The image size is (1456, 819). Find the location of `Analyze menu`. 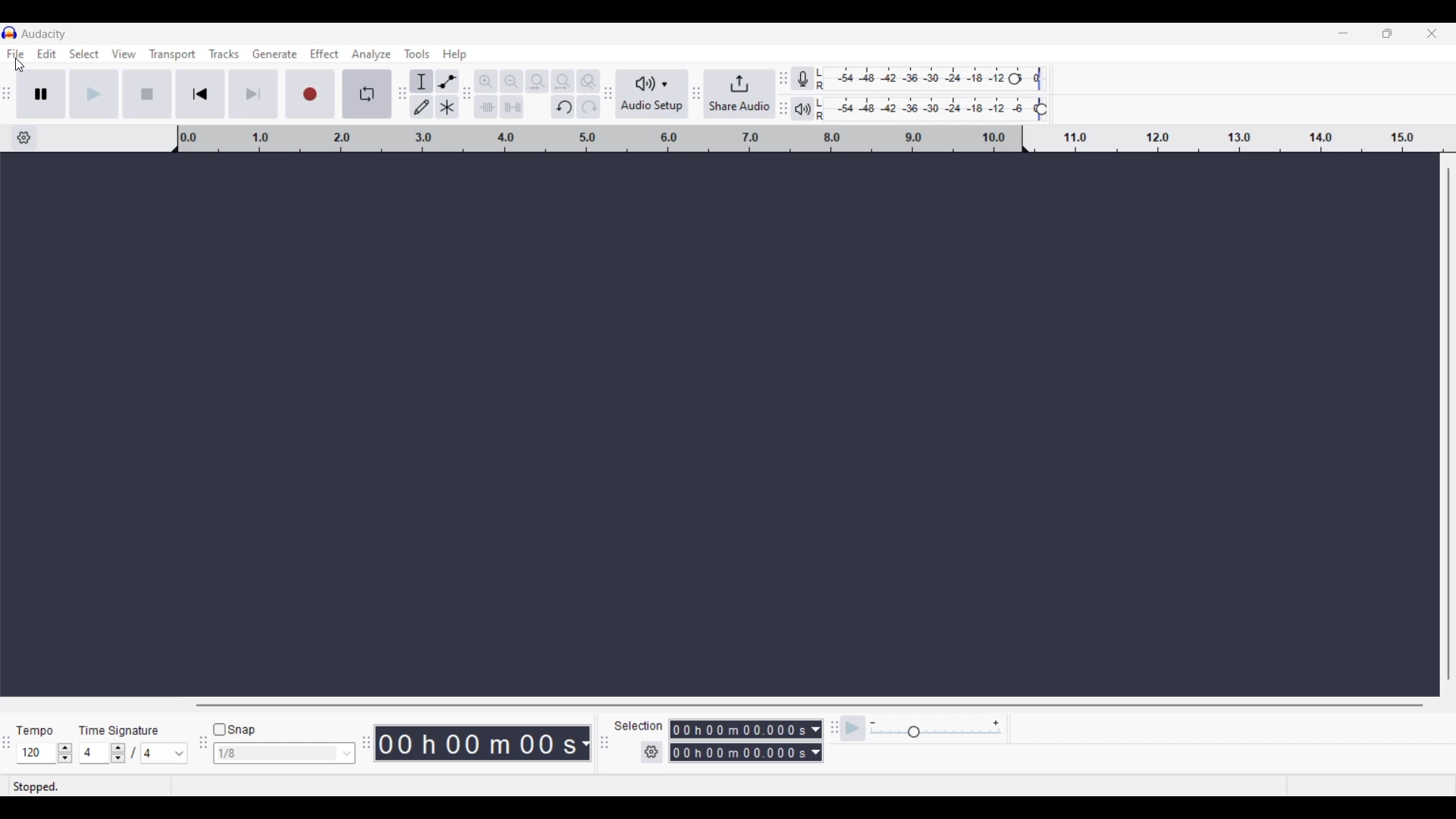

Analyze menu is located at coordinates (371, 55).